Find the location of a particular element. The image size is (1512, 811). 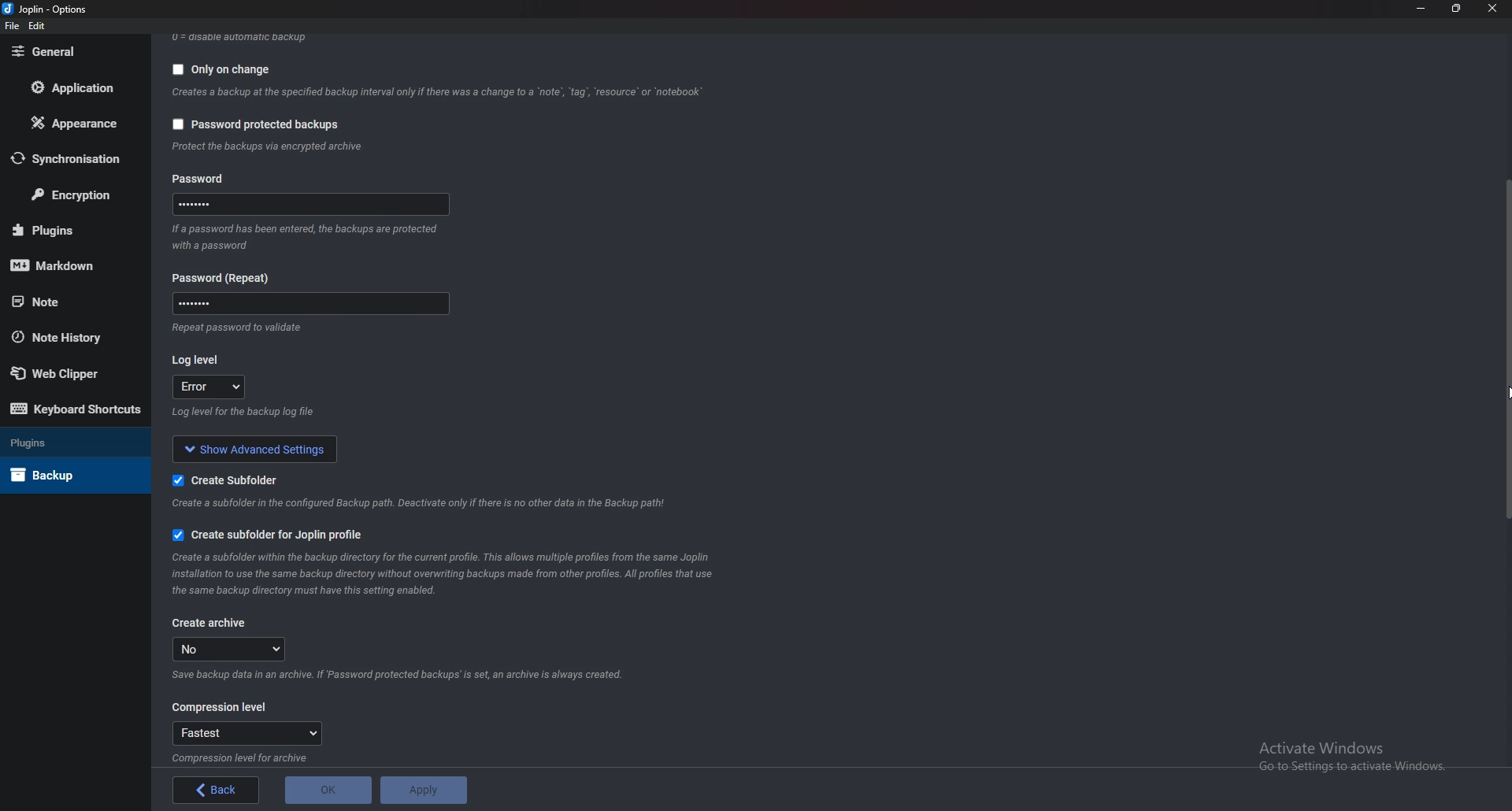

Info on log level is located at coordinates (242, 416).